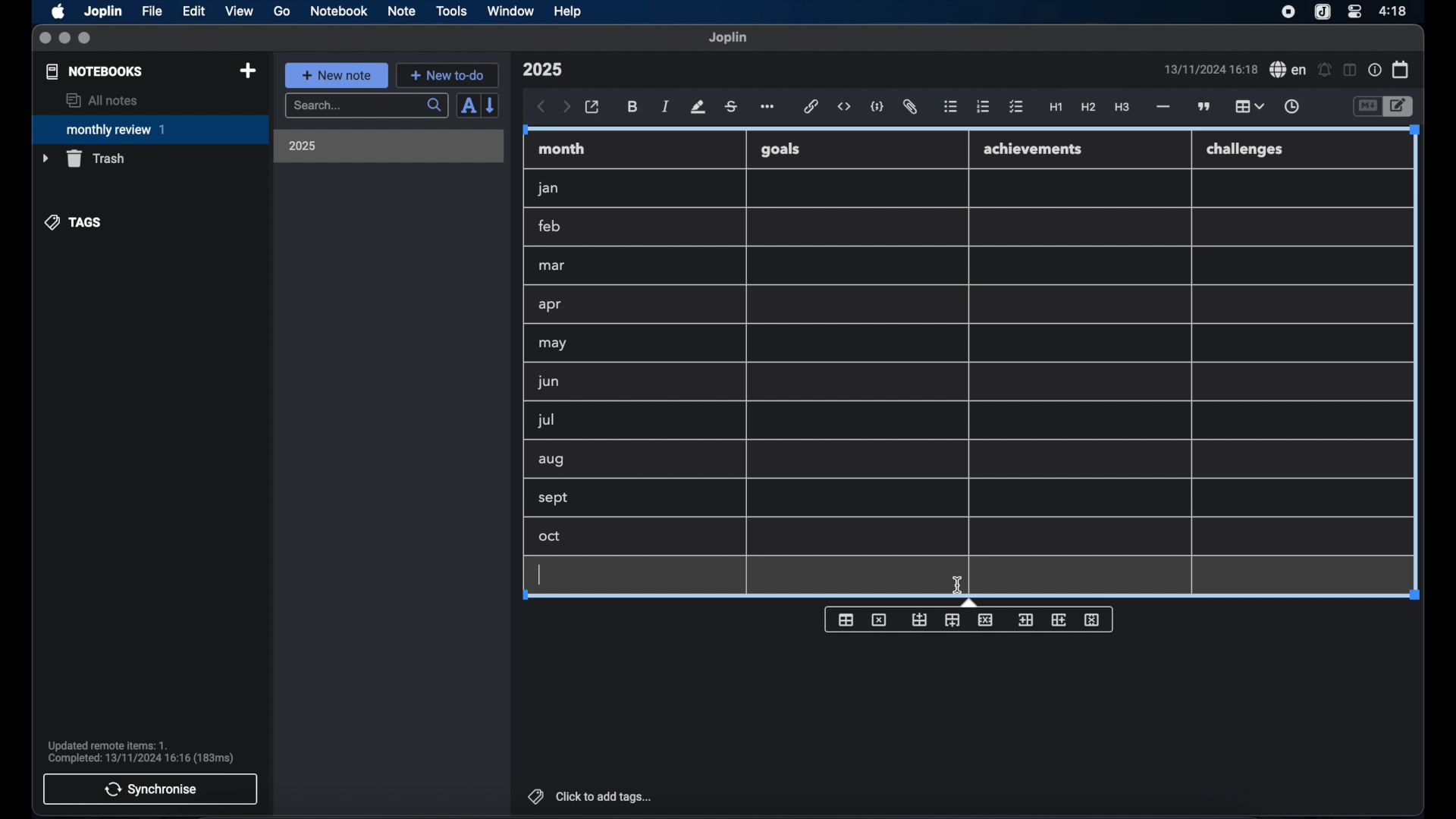 The height and width of the screenshot is (819, 1456). I want to click on joplin, so click(728, 37).